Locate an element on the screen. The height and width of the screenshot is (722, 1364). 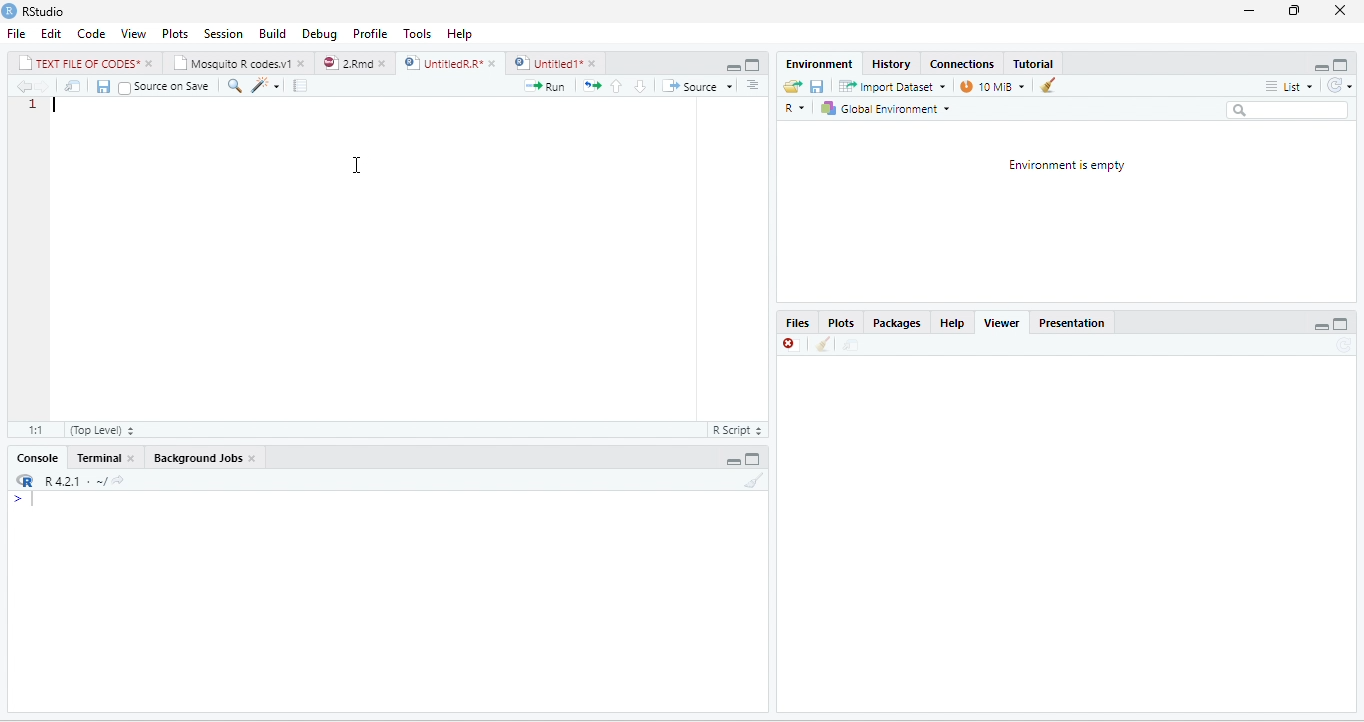
| TEXT FILE RF CODES* is located at coordinates (78, 61).